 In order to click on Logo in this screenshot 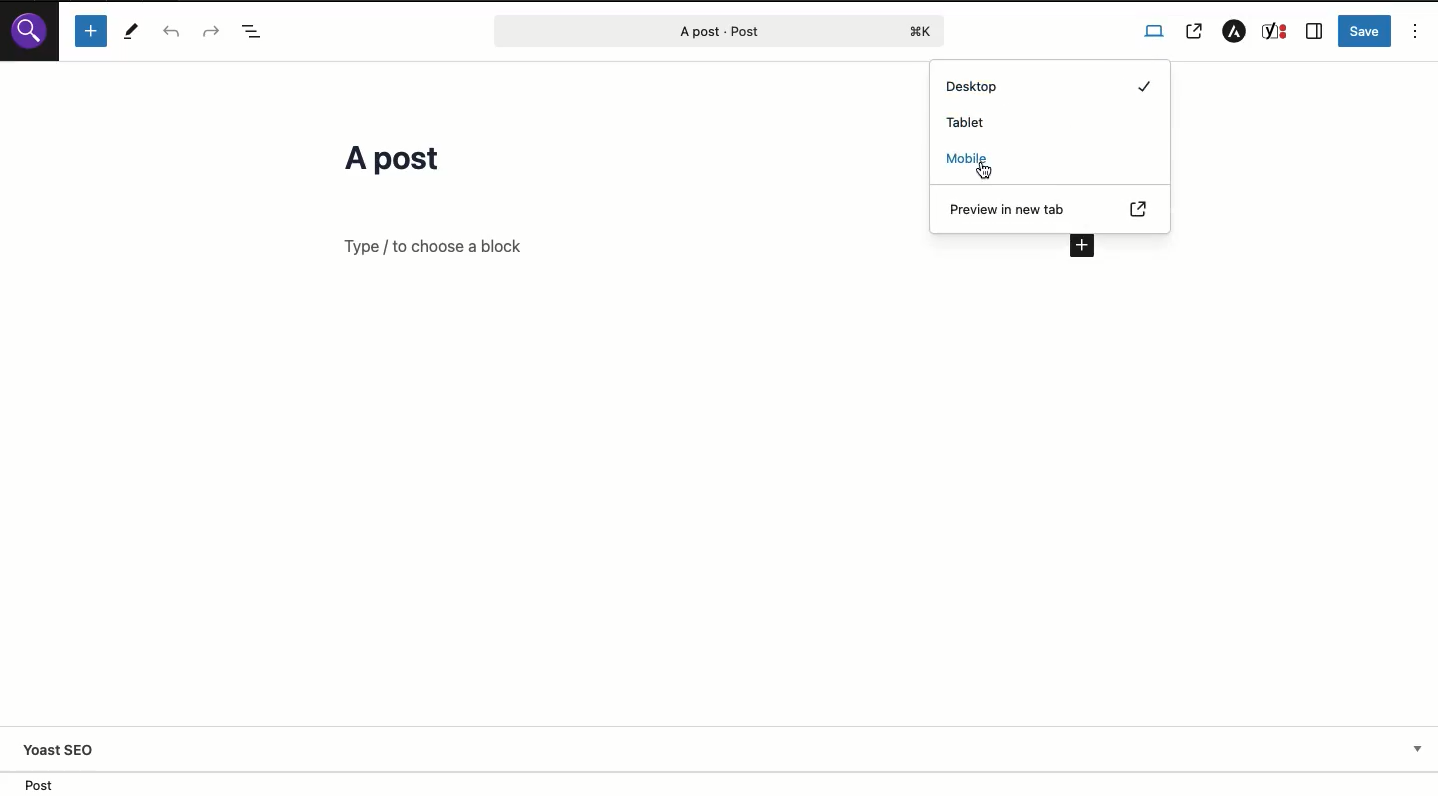, I will do `click(31, 35)`.